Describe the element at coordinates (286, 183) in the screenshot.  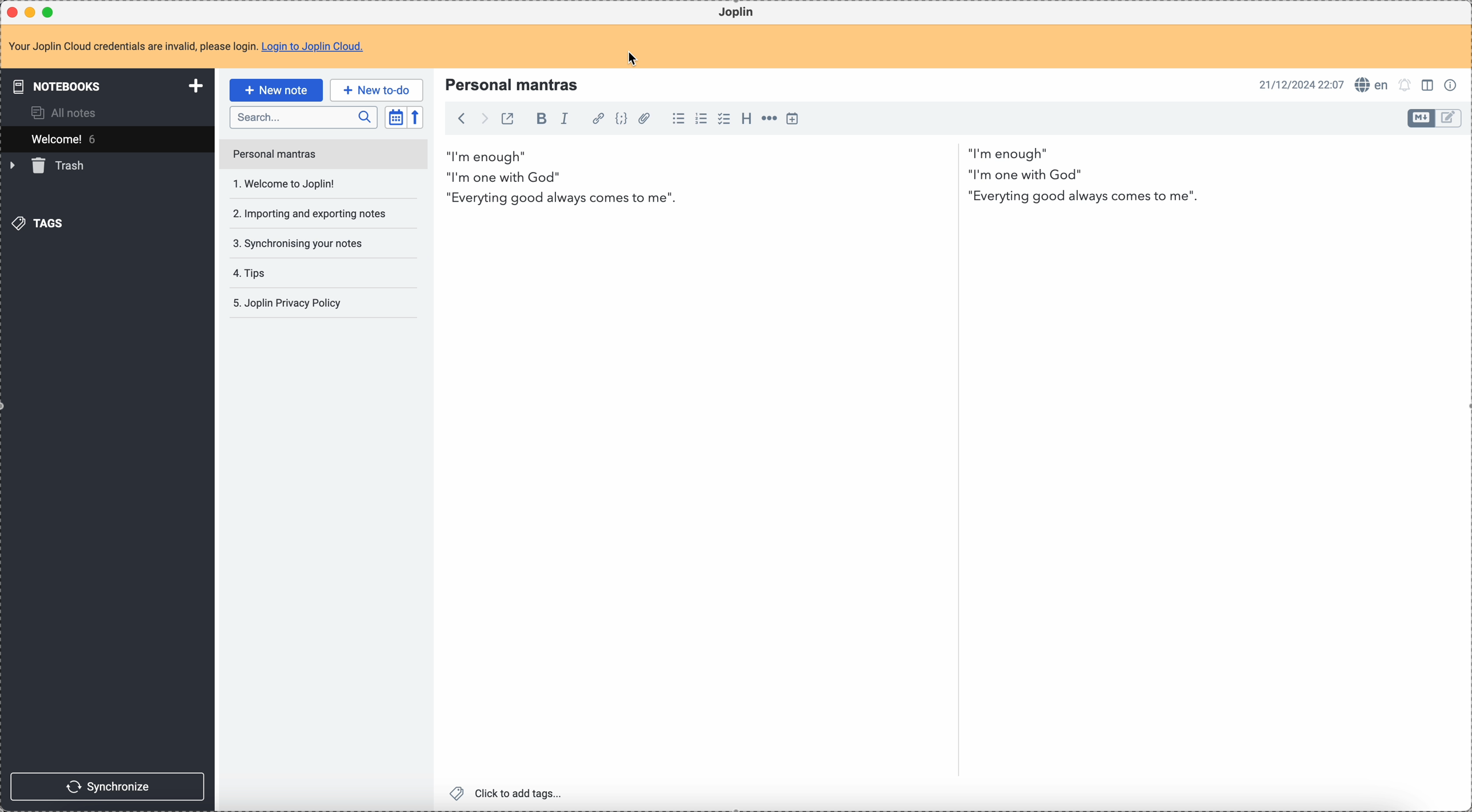
I see `welcome to Joplin` at that location.